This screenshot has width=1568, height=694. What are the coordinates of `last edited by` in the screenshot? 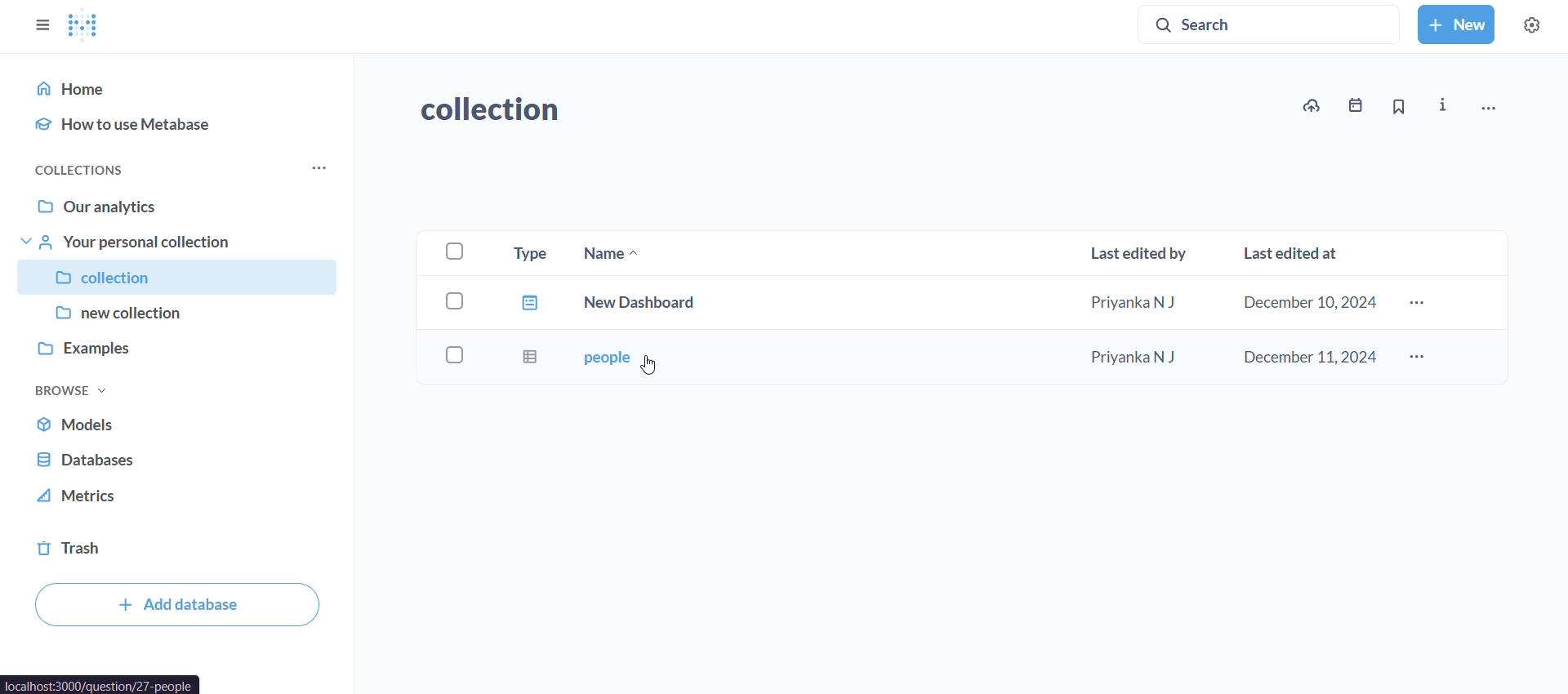 It's located at (1139, 256).